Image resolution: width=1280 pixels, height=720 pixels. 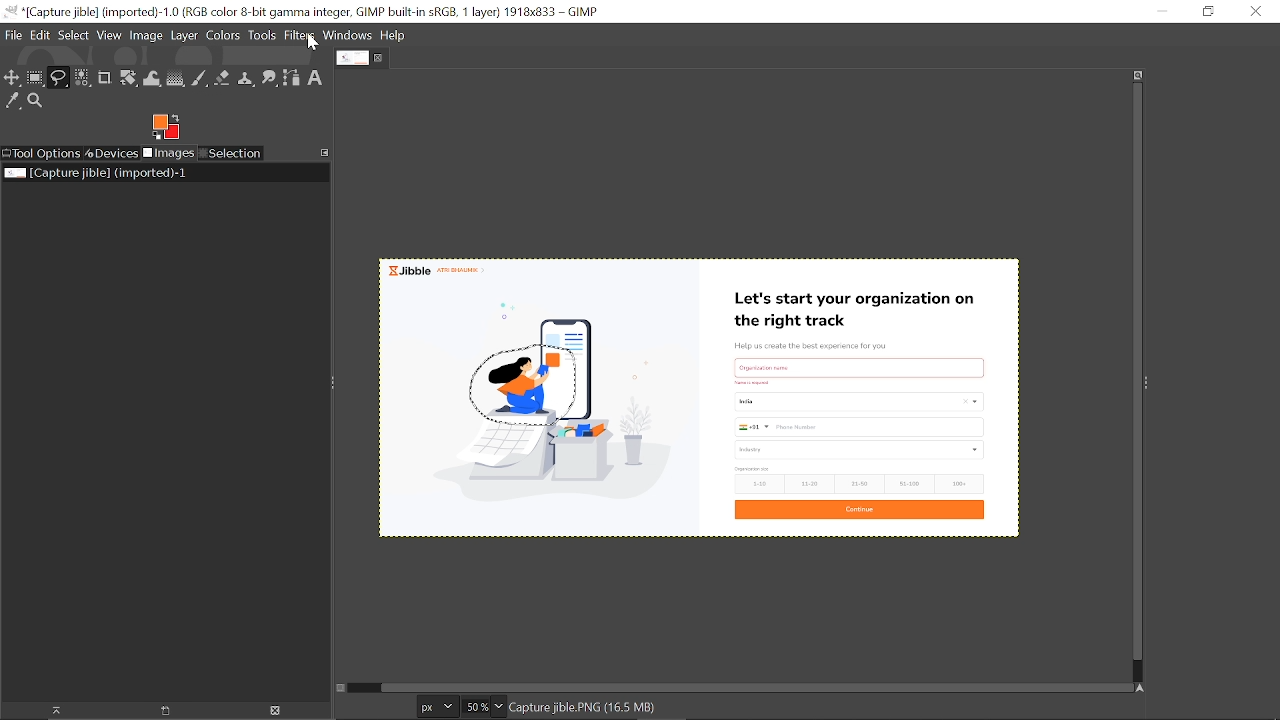 I want to click on Rectangular select tool, so click(x=35, y=77).